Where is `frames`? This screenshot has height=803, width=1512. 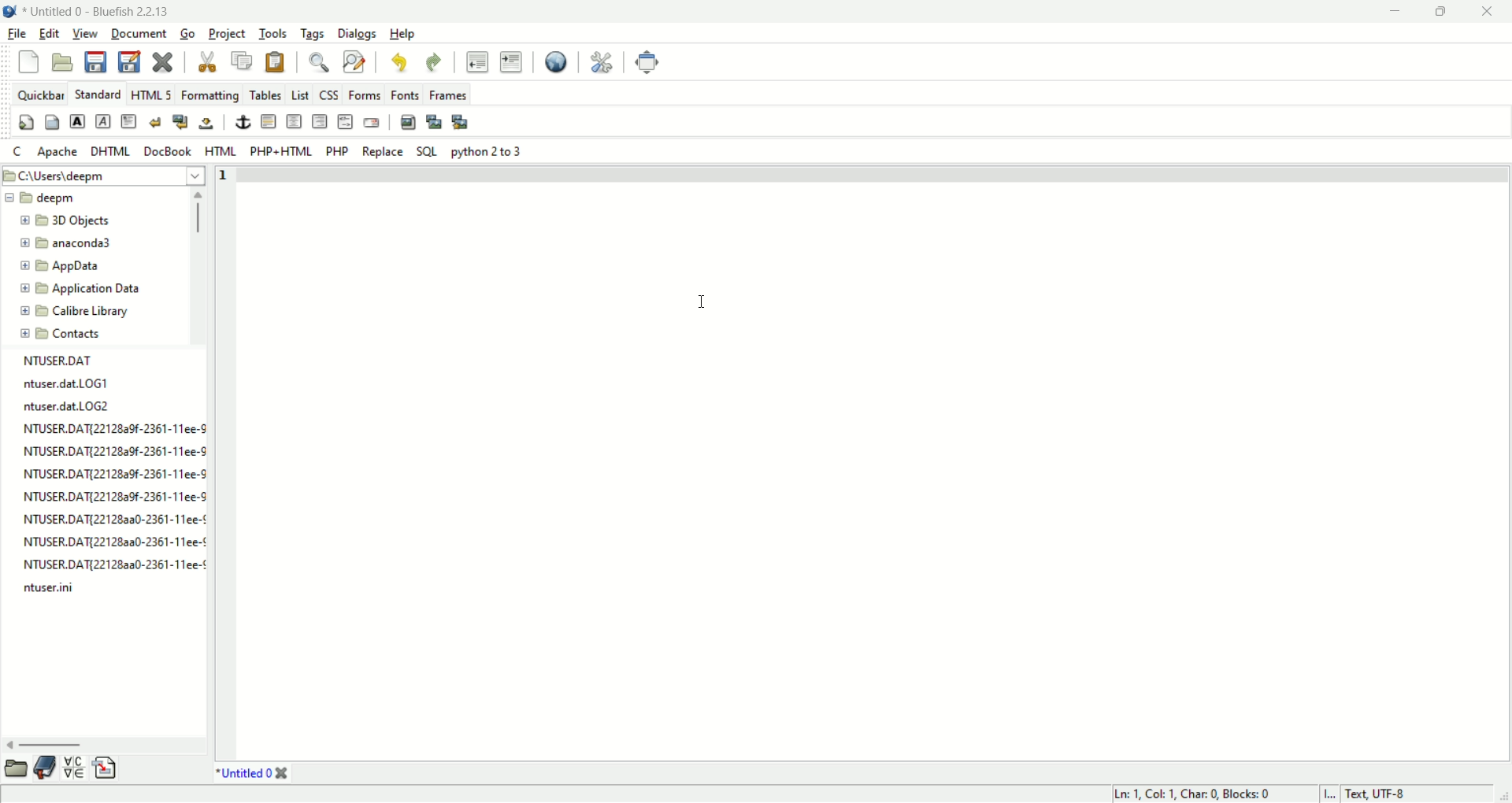
frames is located at coordinates (447, 94).